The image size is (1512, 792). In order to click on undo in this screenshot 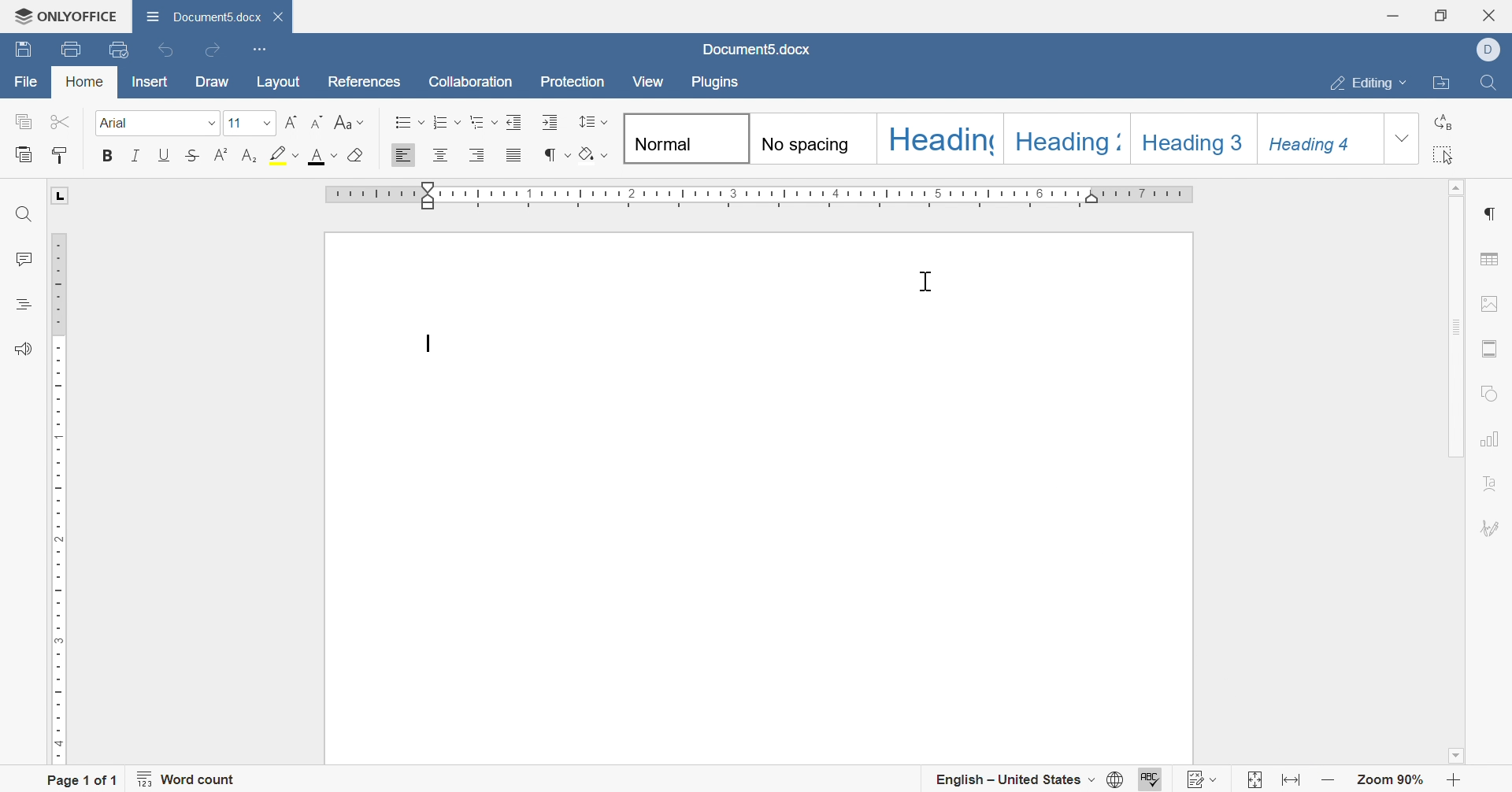, I will do `click(165, 50)`.